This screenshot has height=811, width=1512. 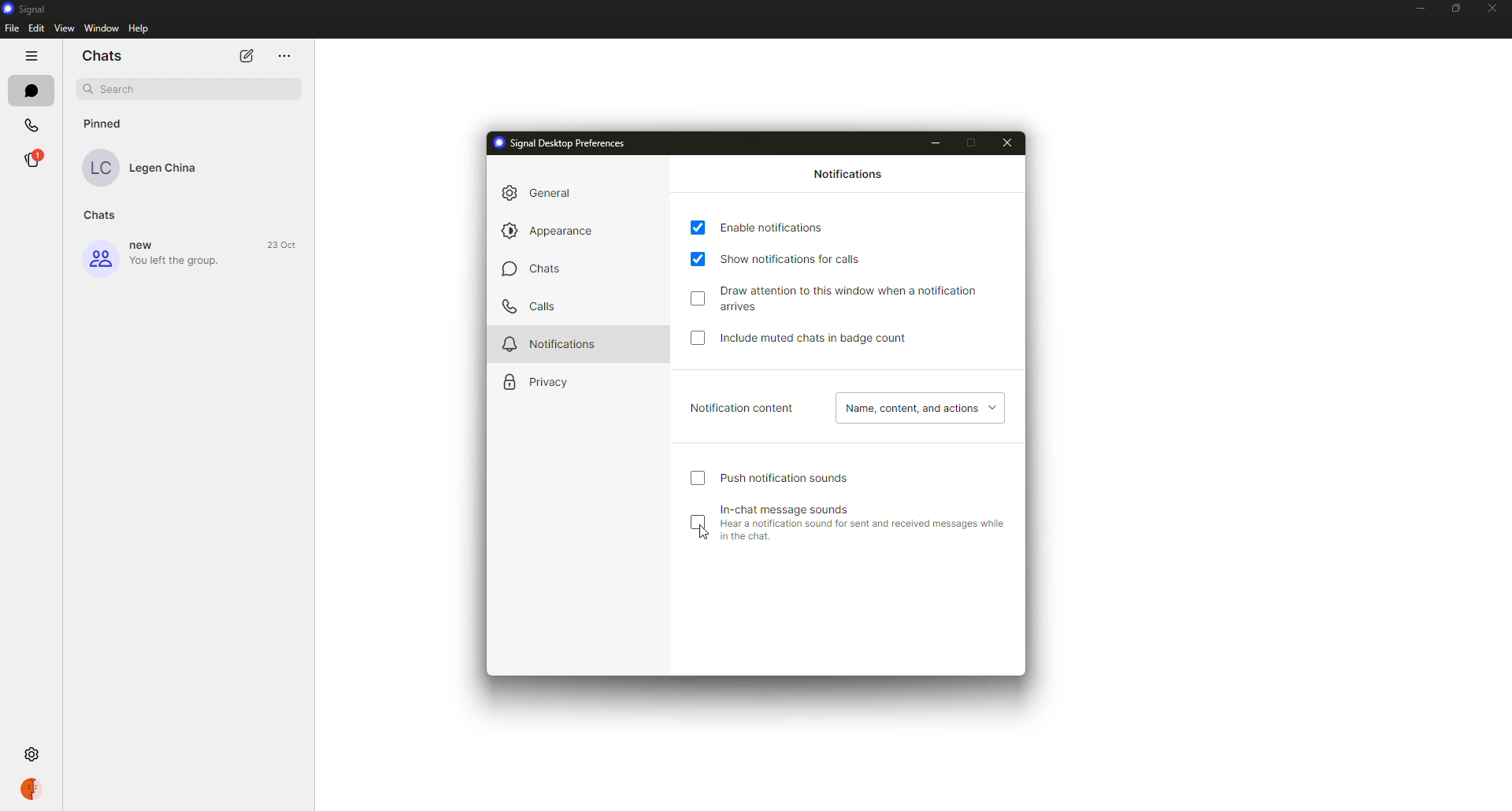 What do you see at coordinates (31, 126) in the screenshot?
I see `Calls` at bounding box center [31, 126].